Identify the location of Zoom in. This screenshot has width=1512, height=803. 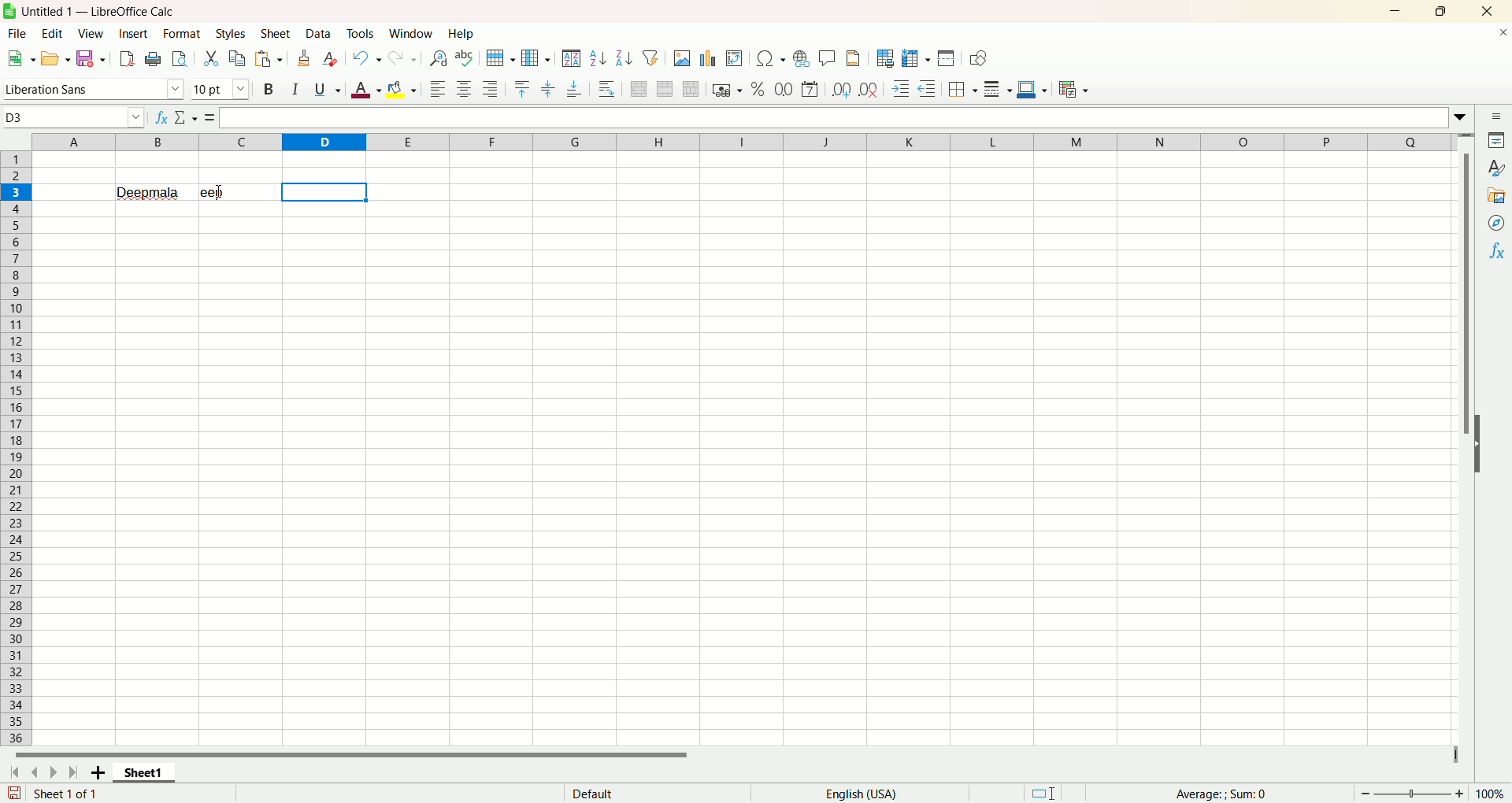
(1459, 794).